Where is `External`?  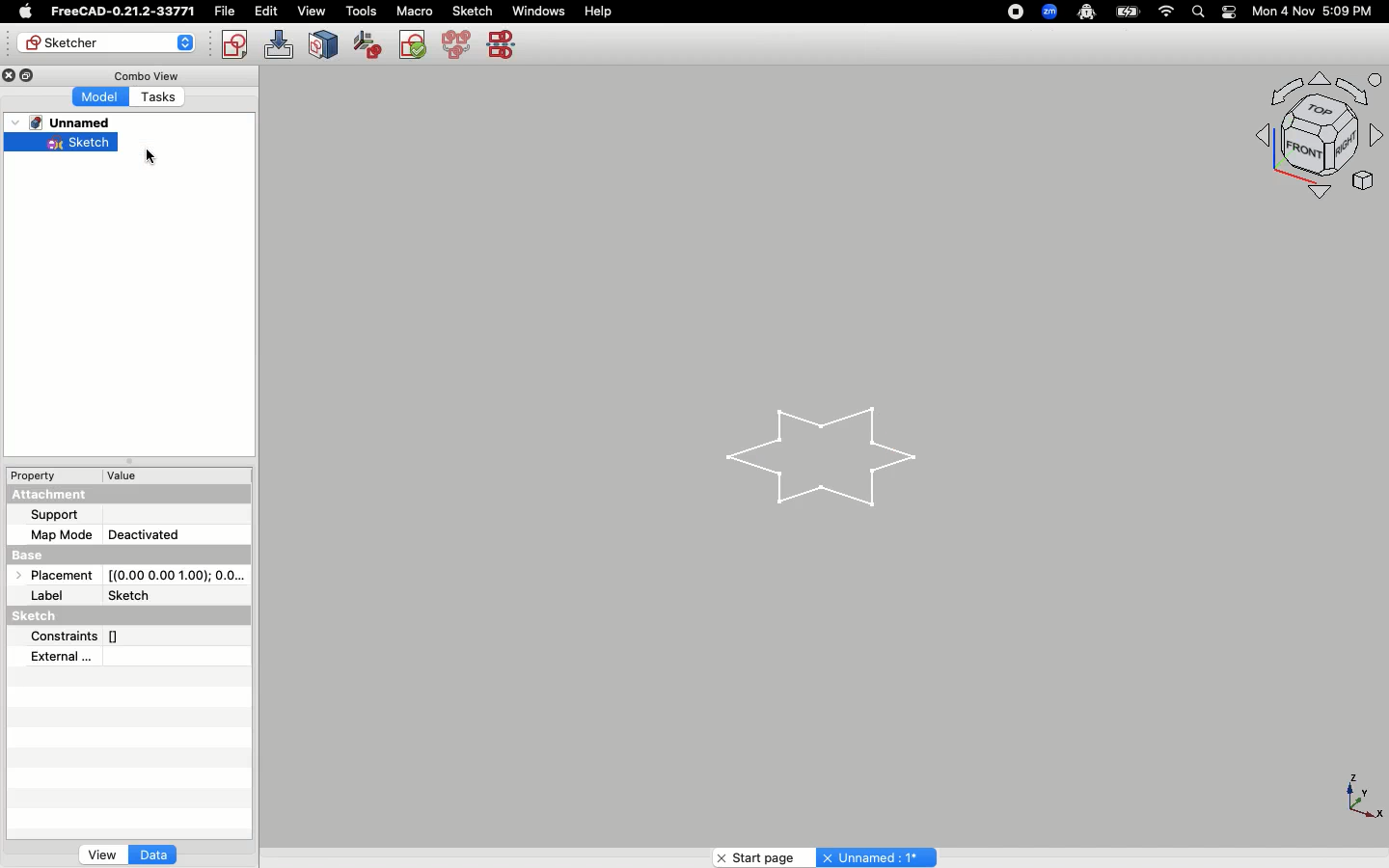
External is located at coordinates (65, 657).